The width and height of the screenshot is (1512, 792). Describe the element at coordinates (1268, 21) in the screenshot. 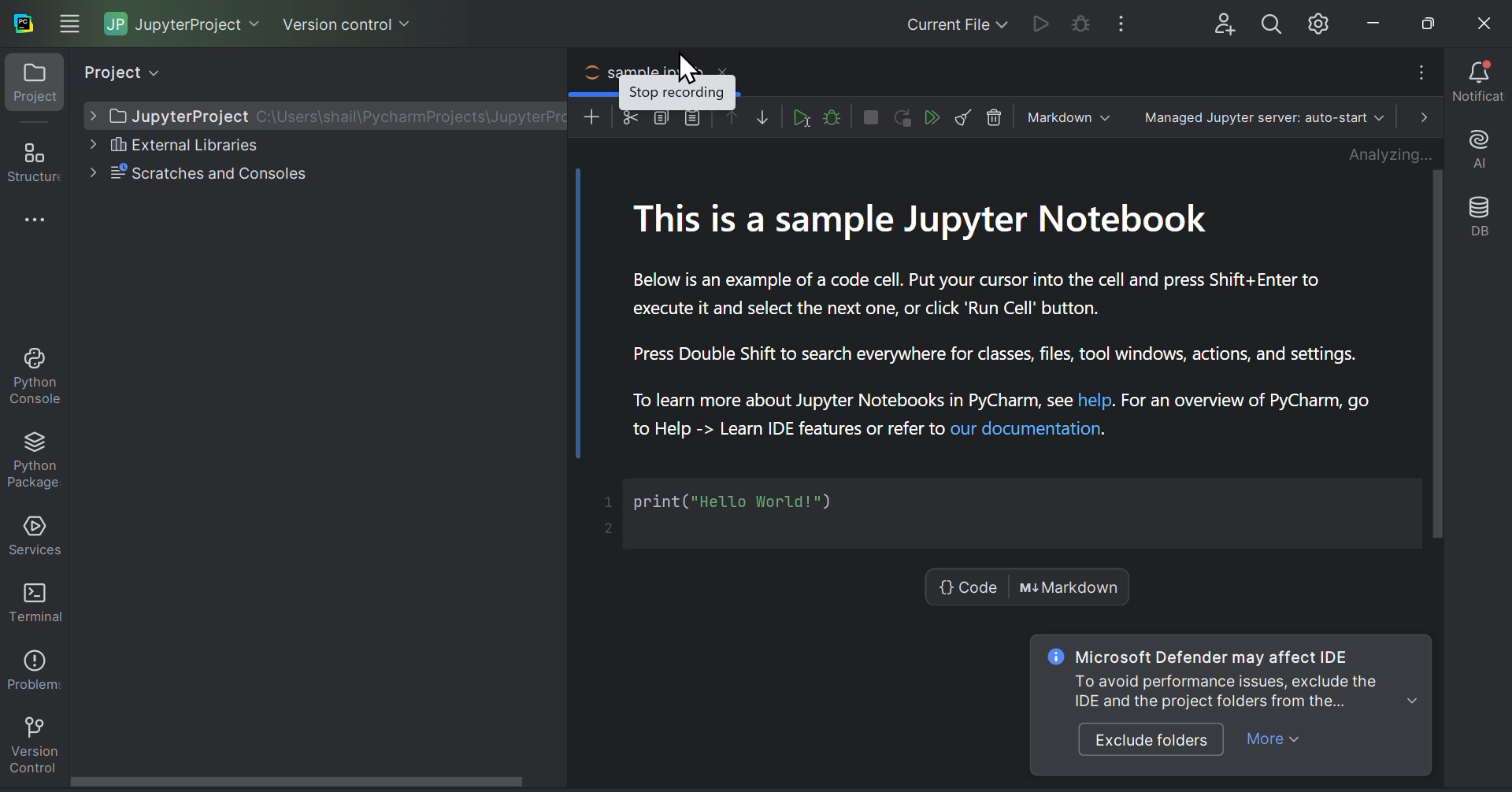

I see `search` at that location.